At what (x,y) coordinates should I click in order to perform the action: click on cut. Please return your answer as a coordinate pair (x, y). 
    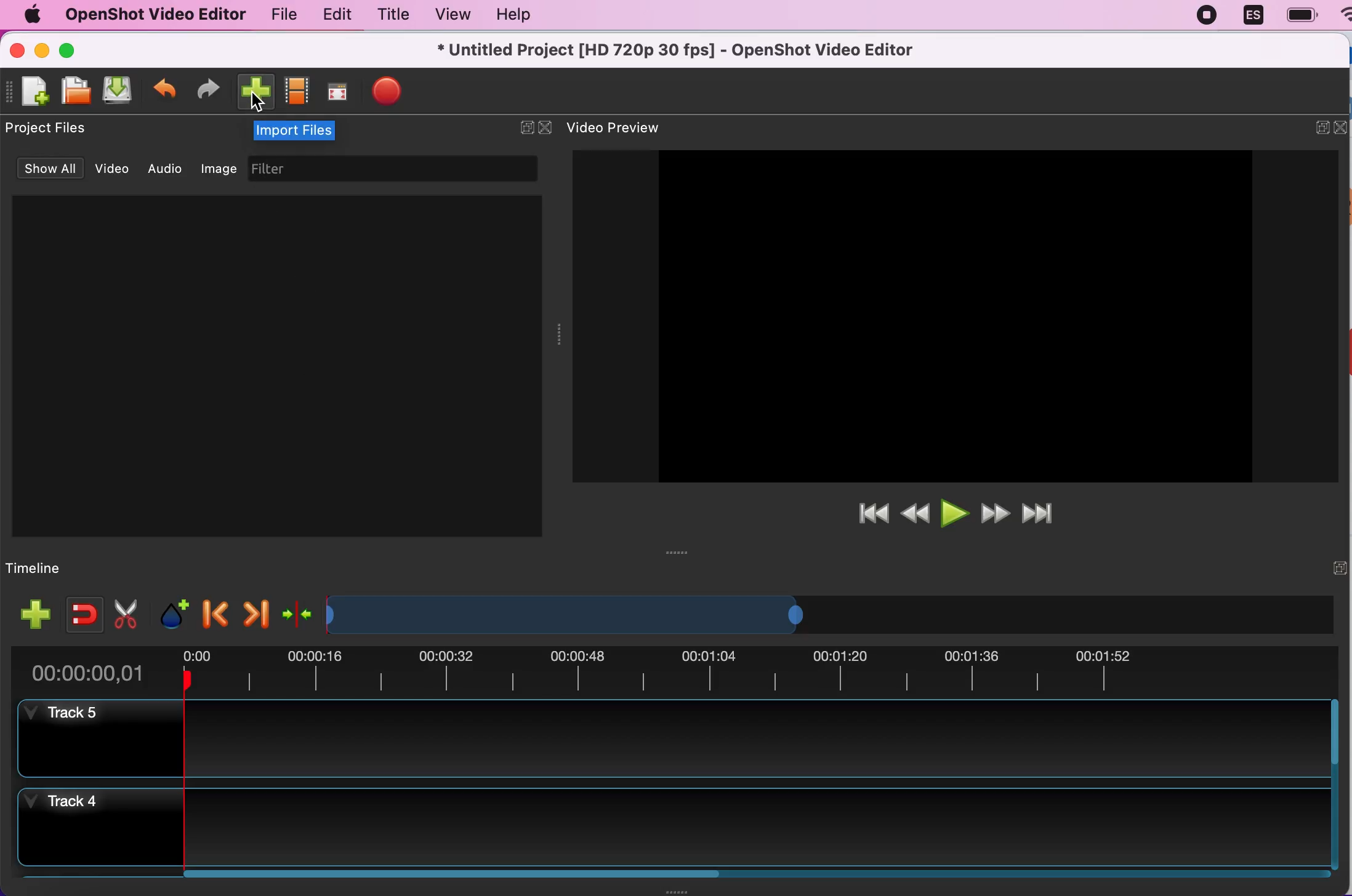
    Looking at the image, I should click on (130, 612).